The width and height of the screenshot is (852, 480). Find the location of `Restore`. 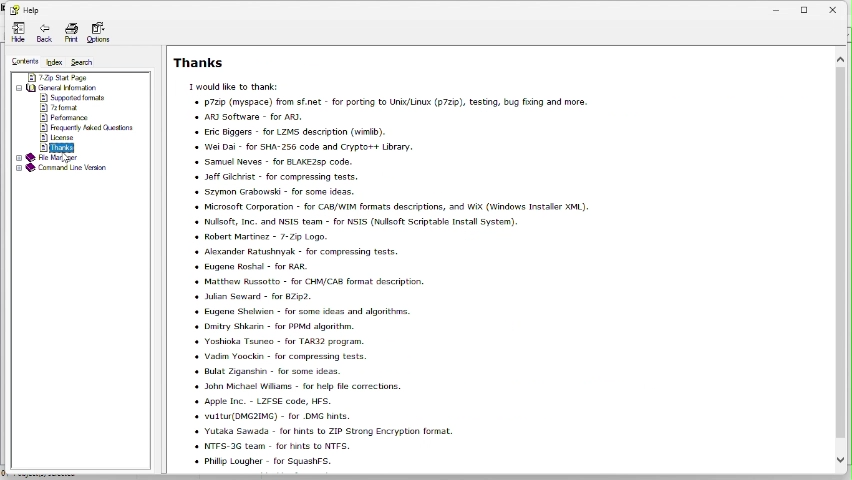

Restore is located at coordinates (807, 7).